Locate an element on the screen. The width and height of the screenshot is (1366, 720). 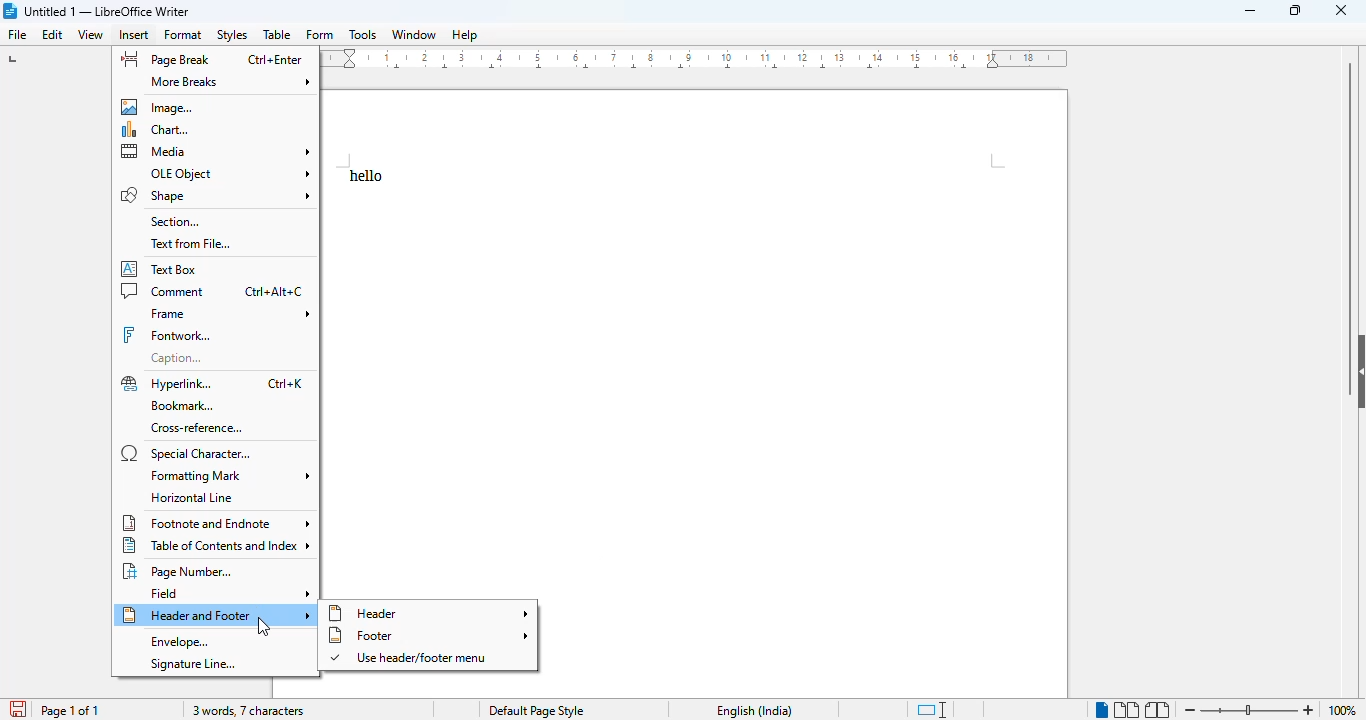
standard selection is located at coordinates (932, 710).